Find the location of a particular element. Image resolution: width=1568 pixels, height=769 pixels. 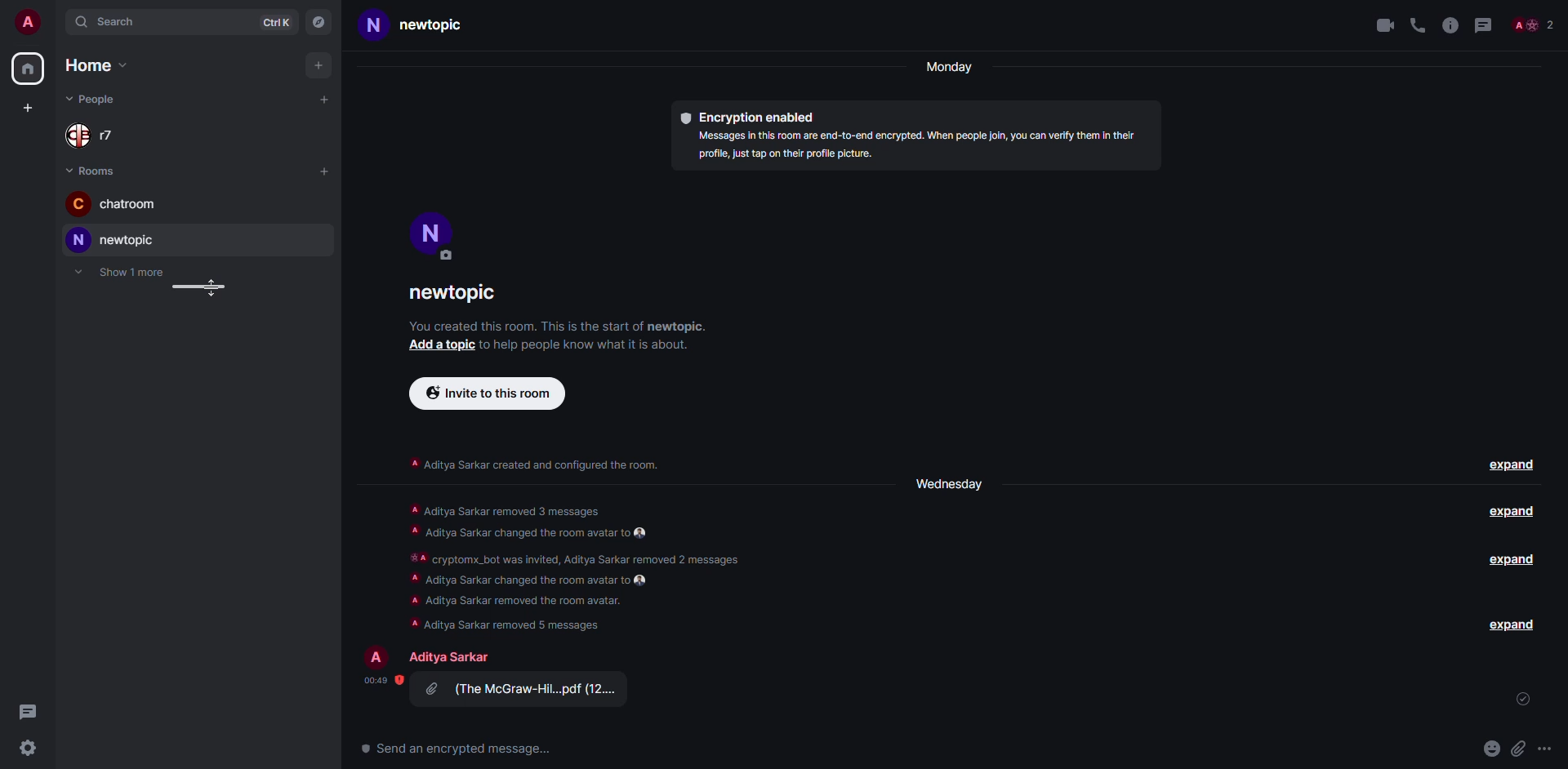

search is located at coordinates (109, 22).